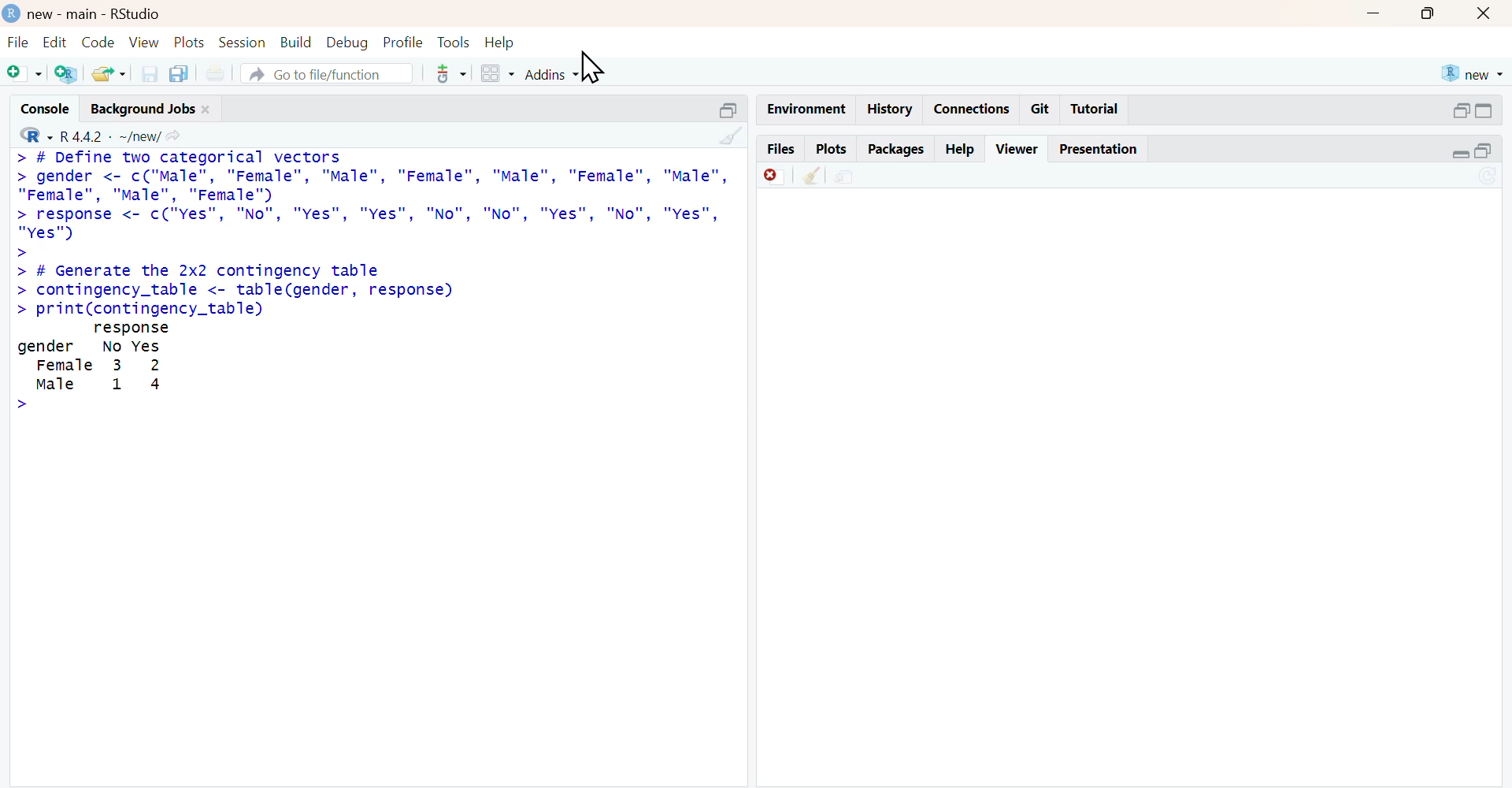  Describe the element at coordinates (1094, 110) in the screenshot. I see `tutorial` at that location.